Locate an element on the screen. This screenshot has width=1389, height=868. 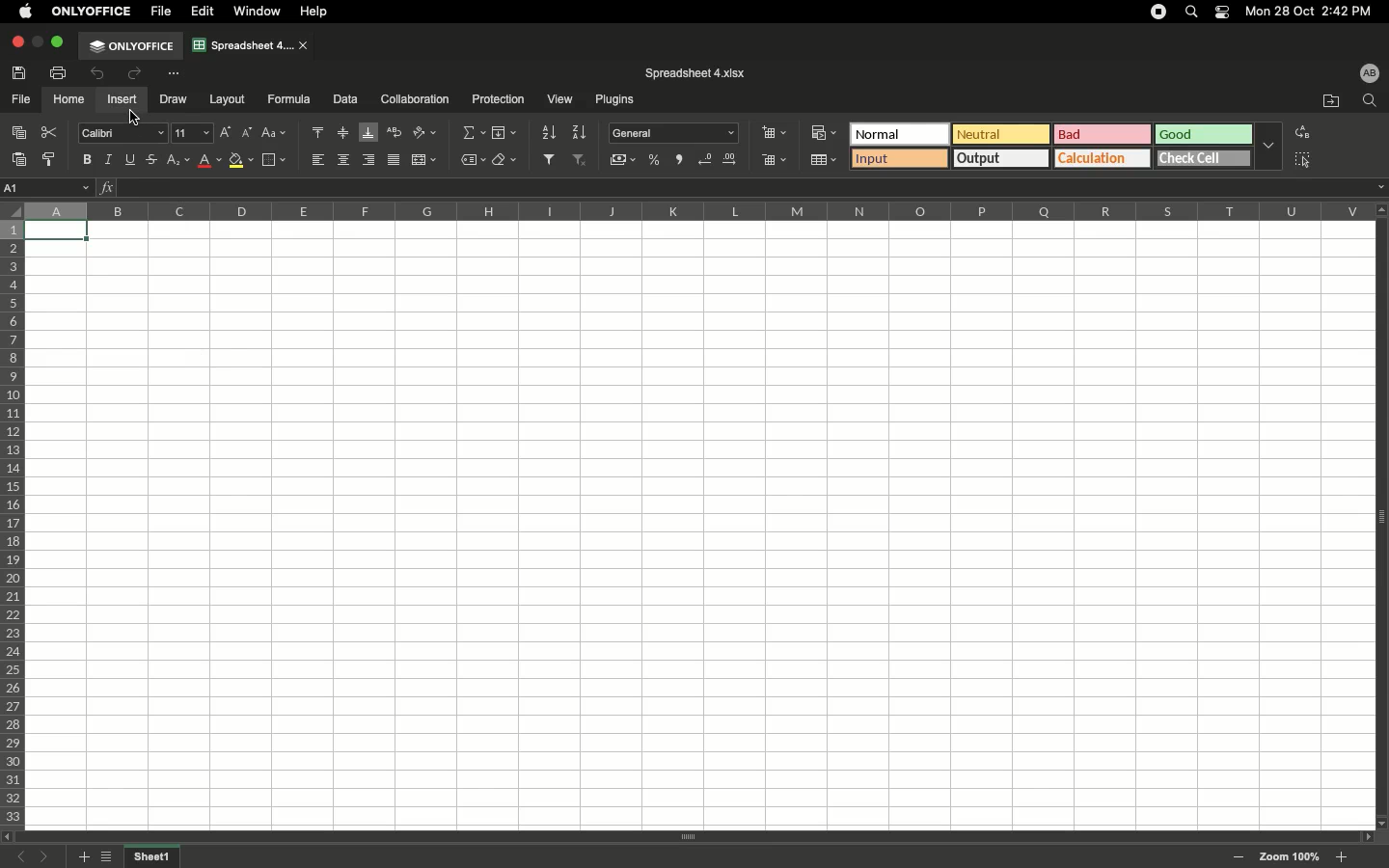
Notification is located at coordinates (1224, 13).